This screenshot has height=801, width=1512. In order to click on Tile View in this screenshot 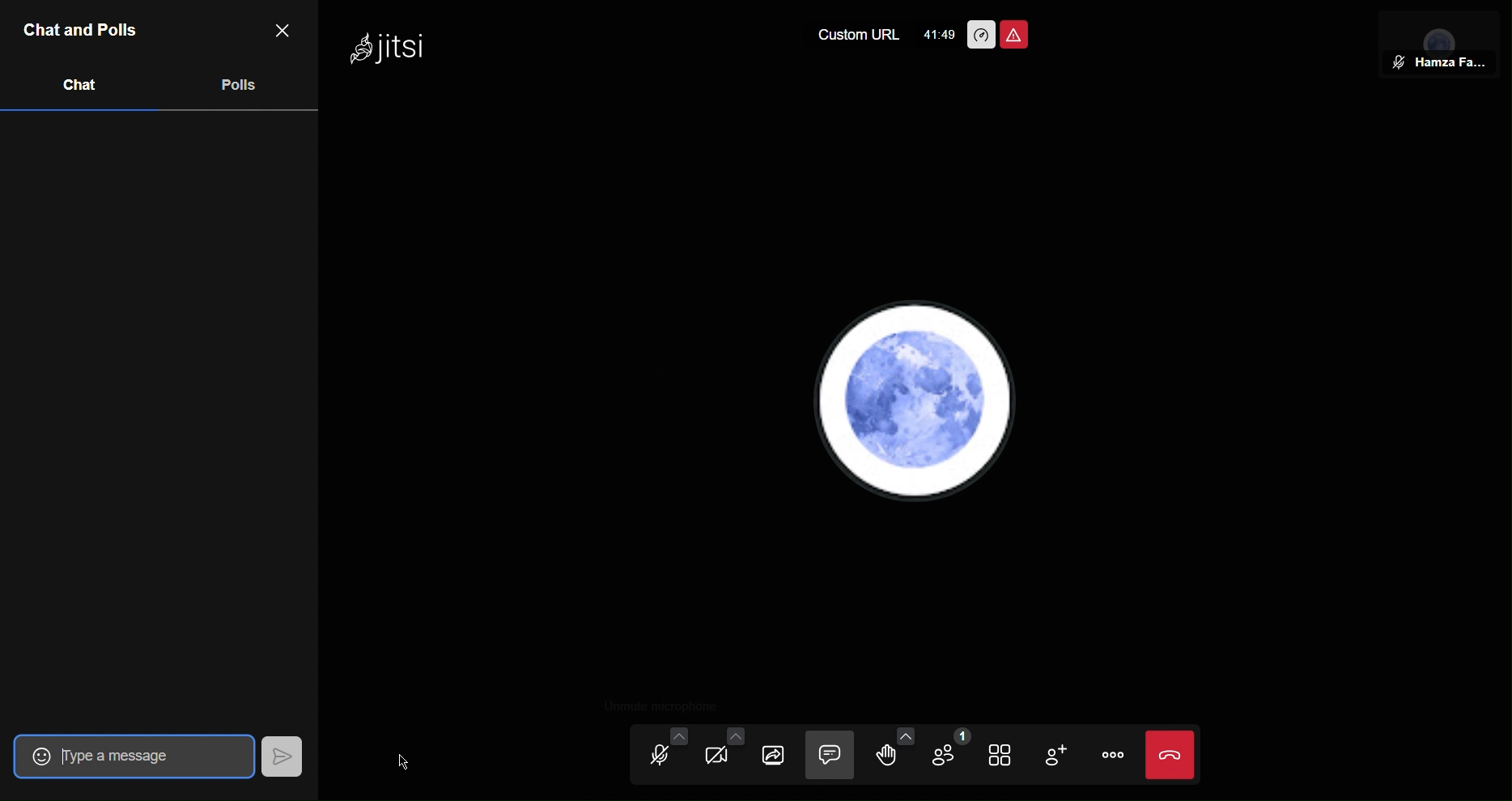, I will do `click(1009, 751)`.